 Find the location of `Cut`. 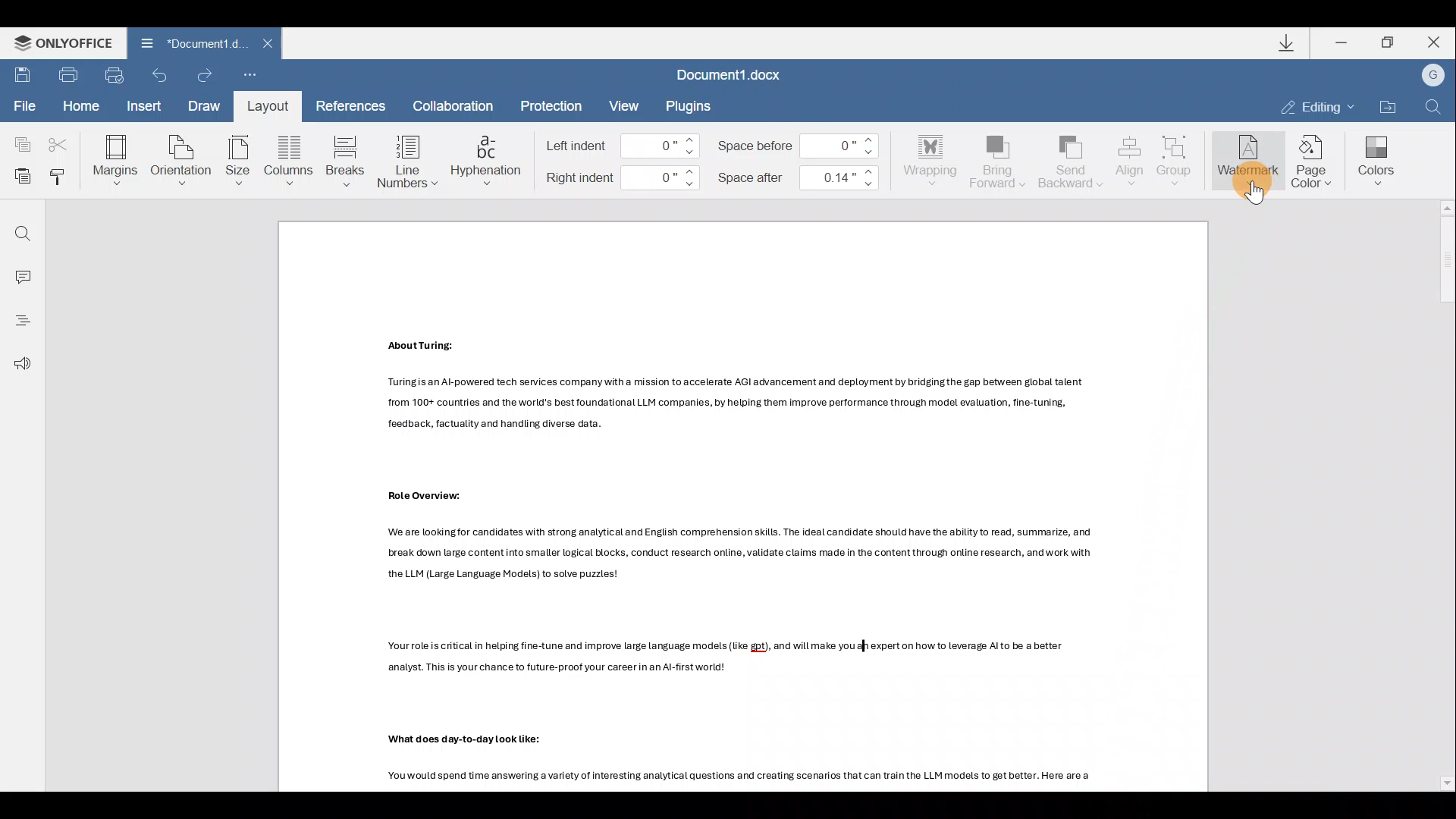

Cut is located at coordinates (58, 142).